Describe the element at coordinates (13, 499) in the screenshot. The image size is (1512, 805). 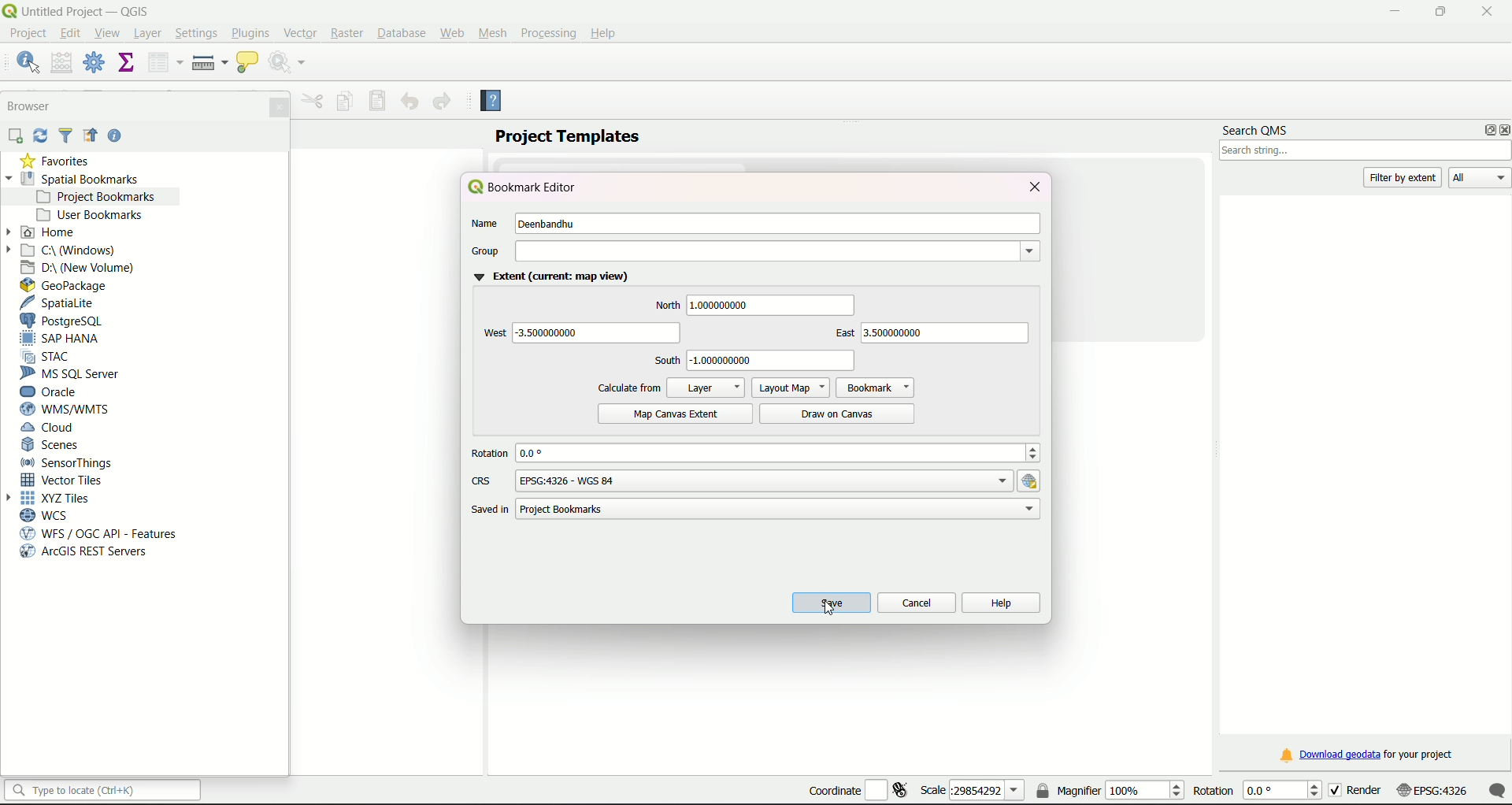
I see `Arrow` at that location.